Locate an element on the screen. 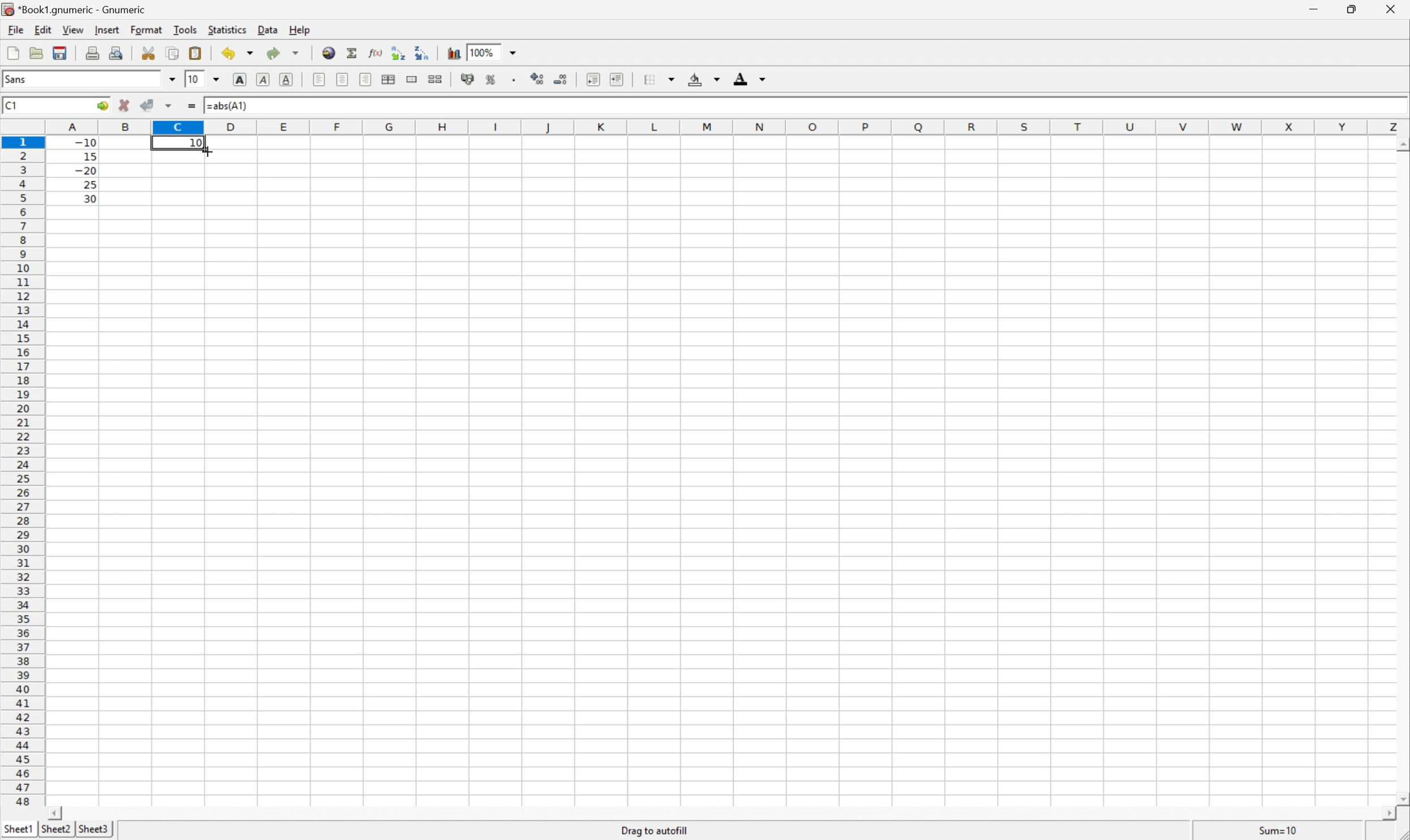  C1 is located at coordinates (12, 104).